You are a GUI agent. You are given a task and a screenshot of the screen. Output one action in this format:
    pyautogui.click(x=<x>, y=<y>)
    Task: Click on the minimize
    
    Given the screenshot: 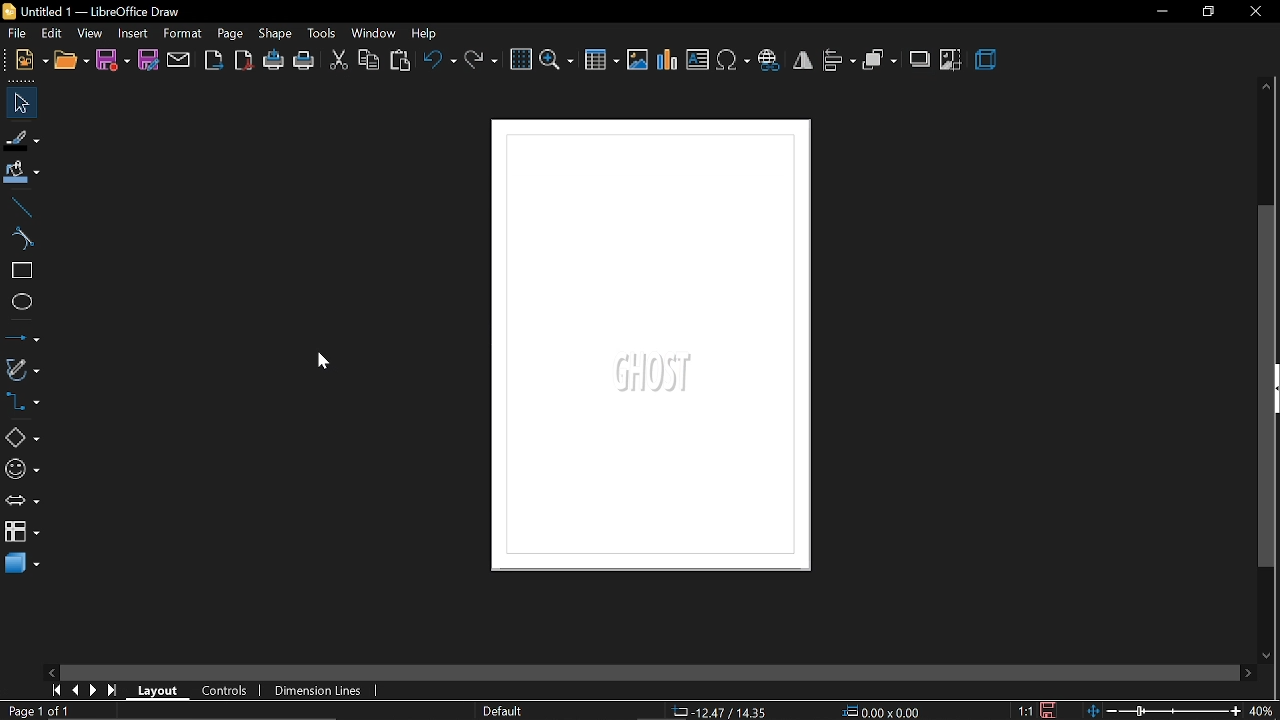 What is the action you would take?
    pyautogui.click(x=1162, y=12)
    